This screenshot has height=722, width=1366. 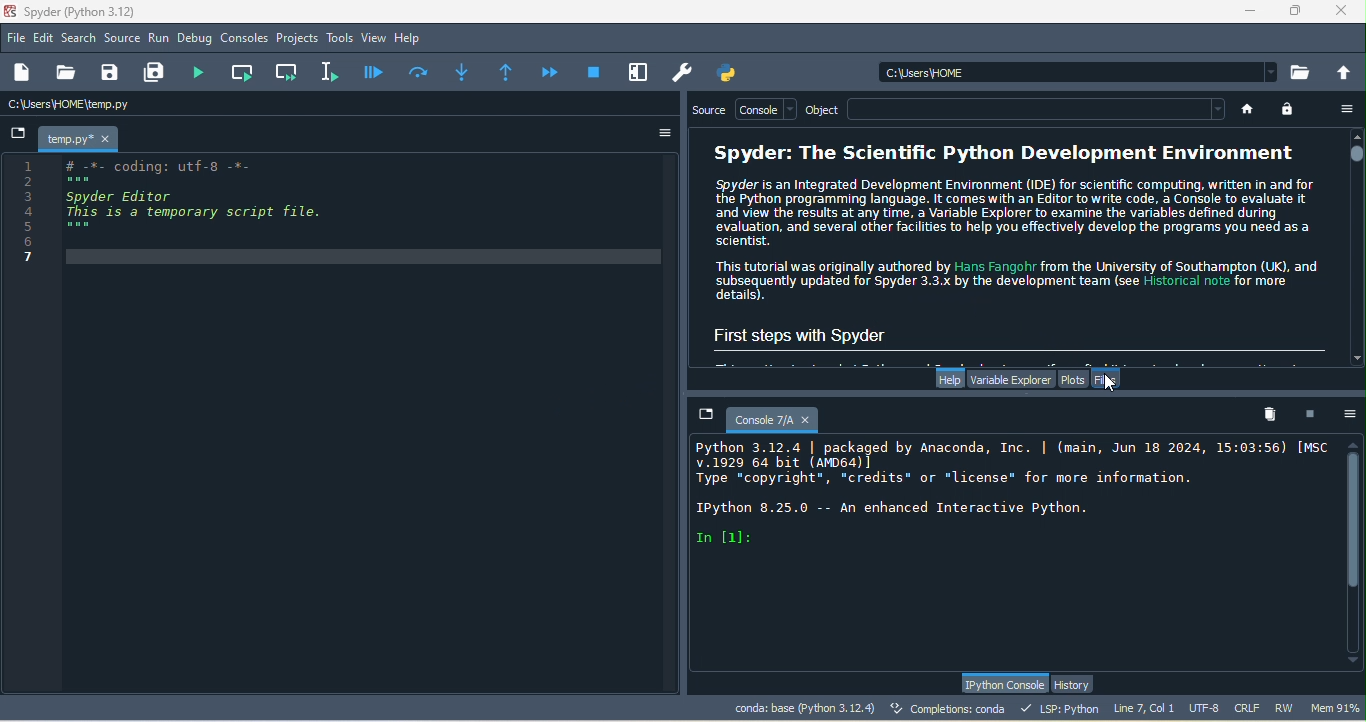 I want to click on source, so click(x=711, y=112).